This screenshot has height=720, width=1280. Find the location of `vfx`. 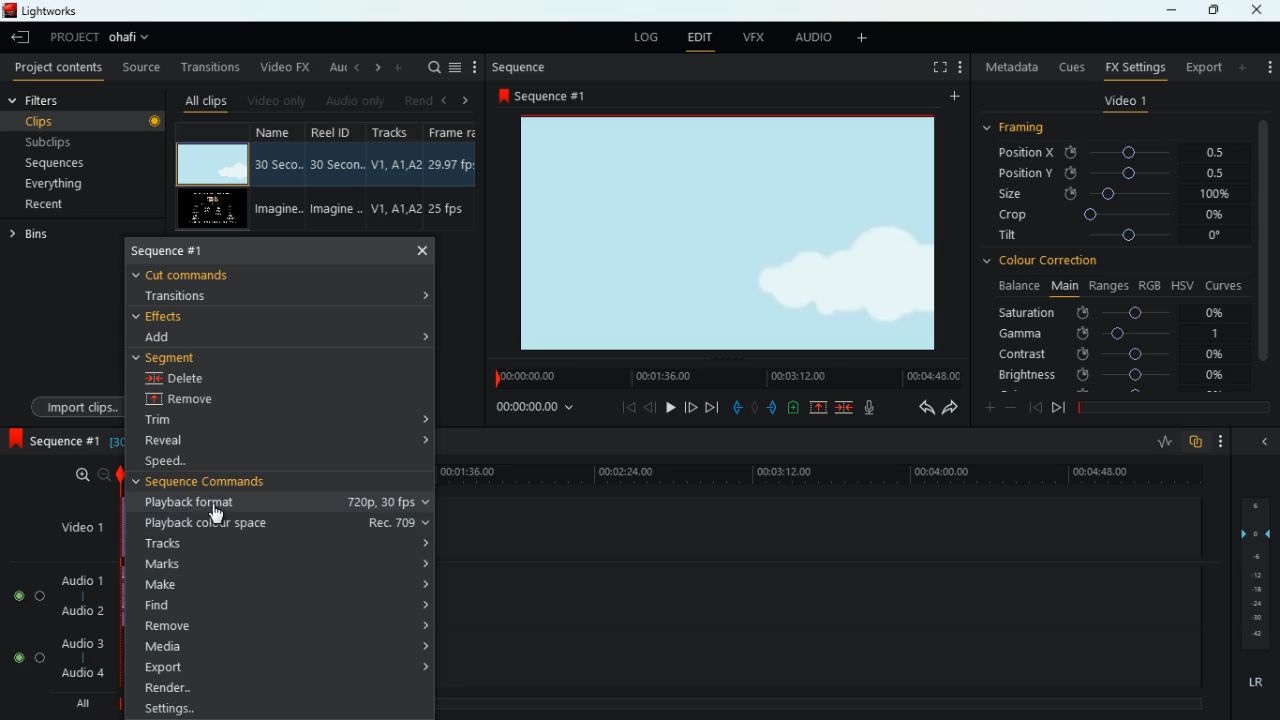

vfx is located at coordinates (750, 38).